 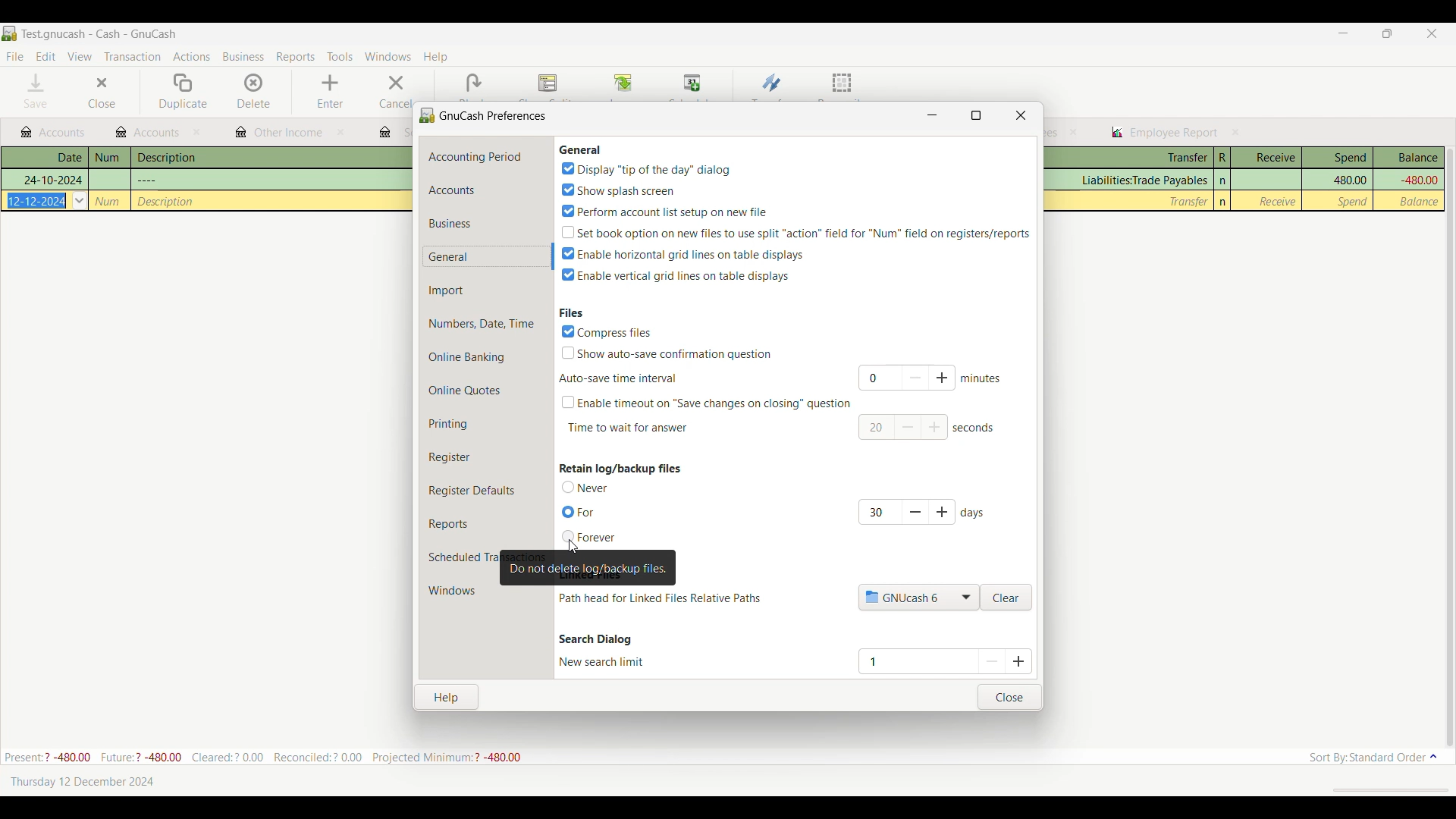 I want to click on Scheduled transactions, so click(x=462, y=557).